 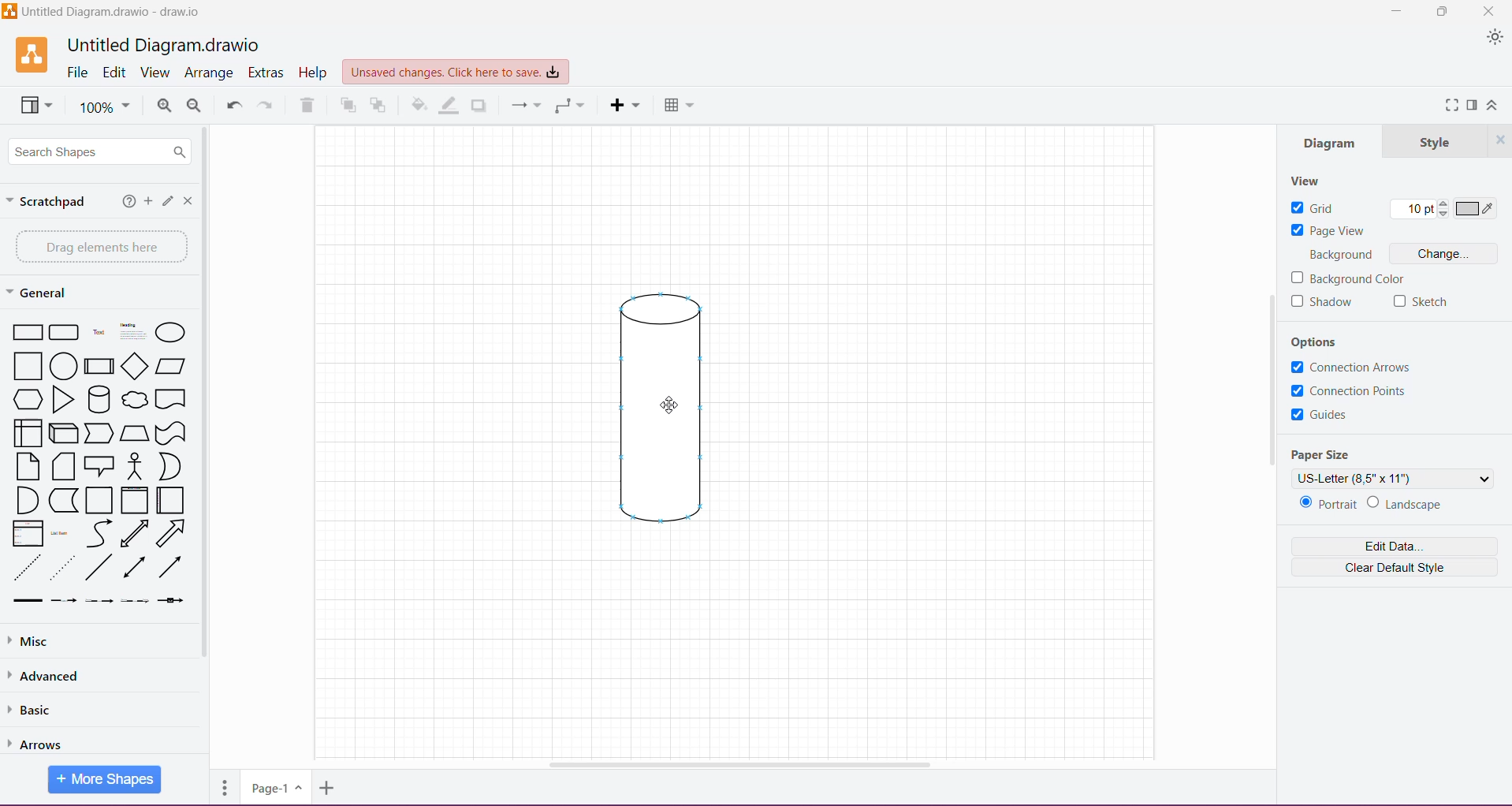 What do you see at coordinates (1493, 105) in the screenshot?
I see `Collapse/Expand` at bounding box center [1493, 105].